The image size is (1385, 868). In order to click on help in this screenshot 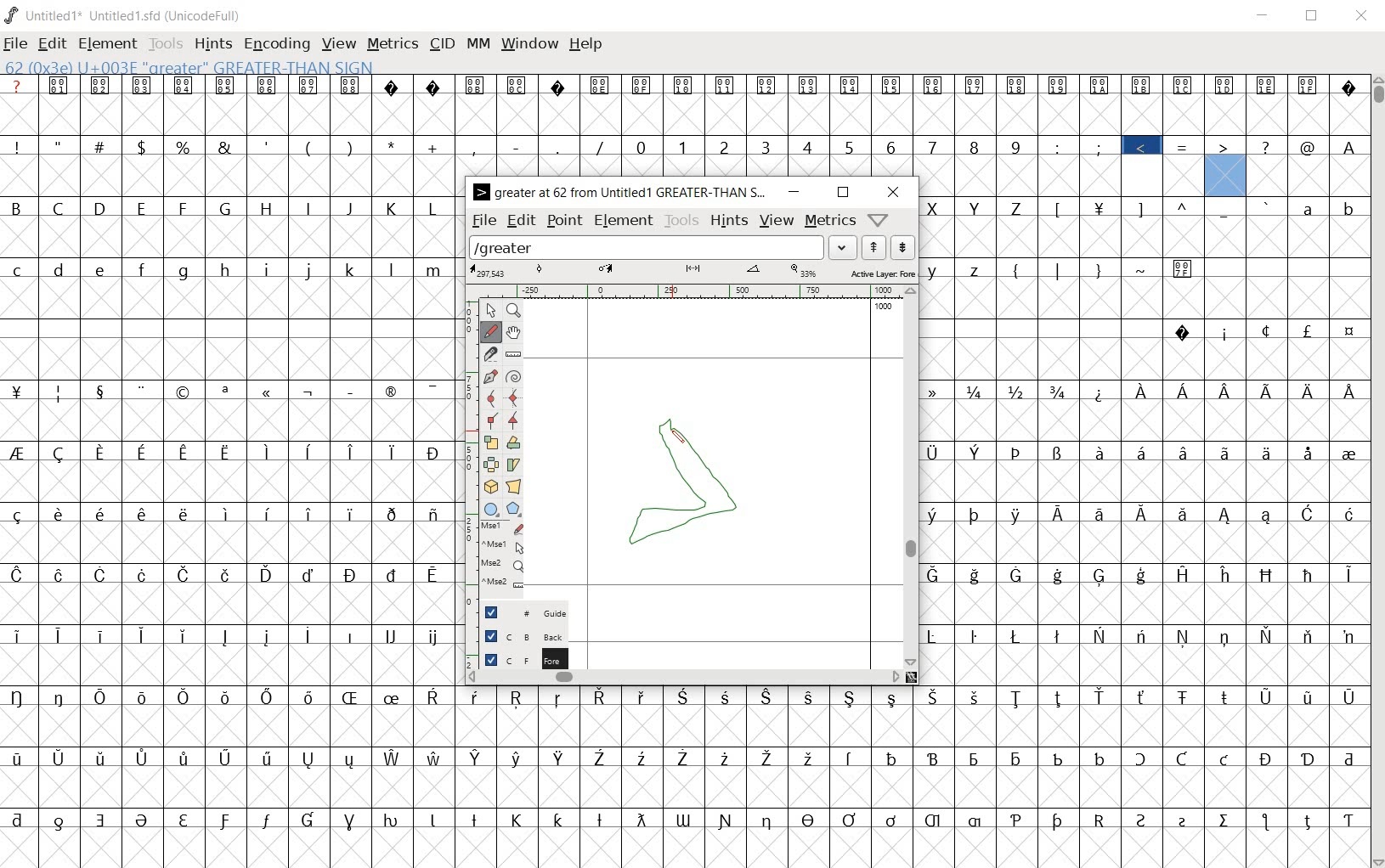, I will do `click(585, 44)`.